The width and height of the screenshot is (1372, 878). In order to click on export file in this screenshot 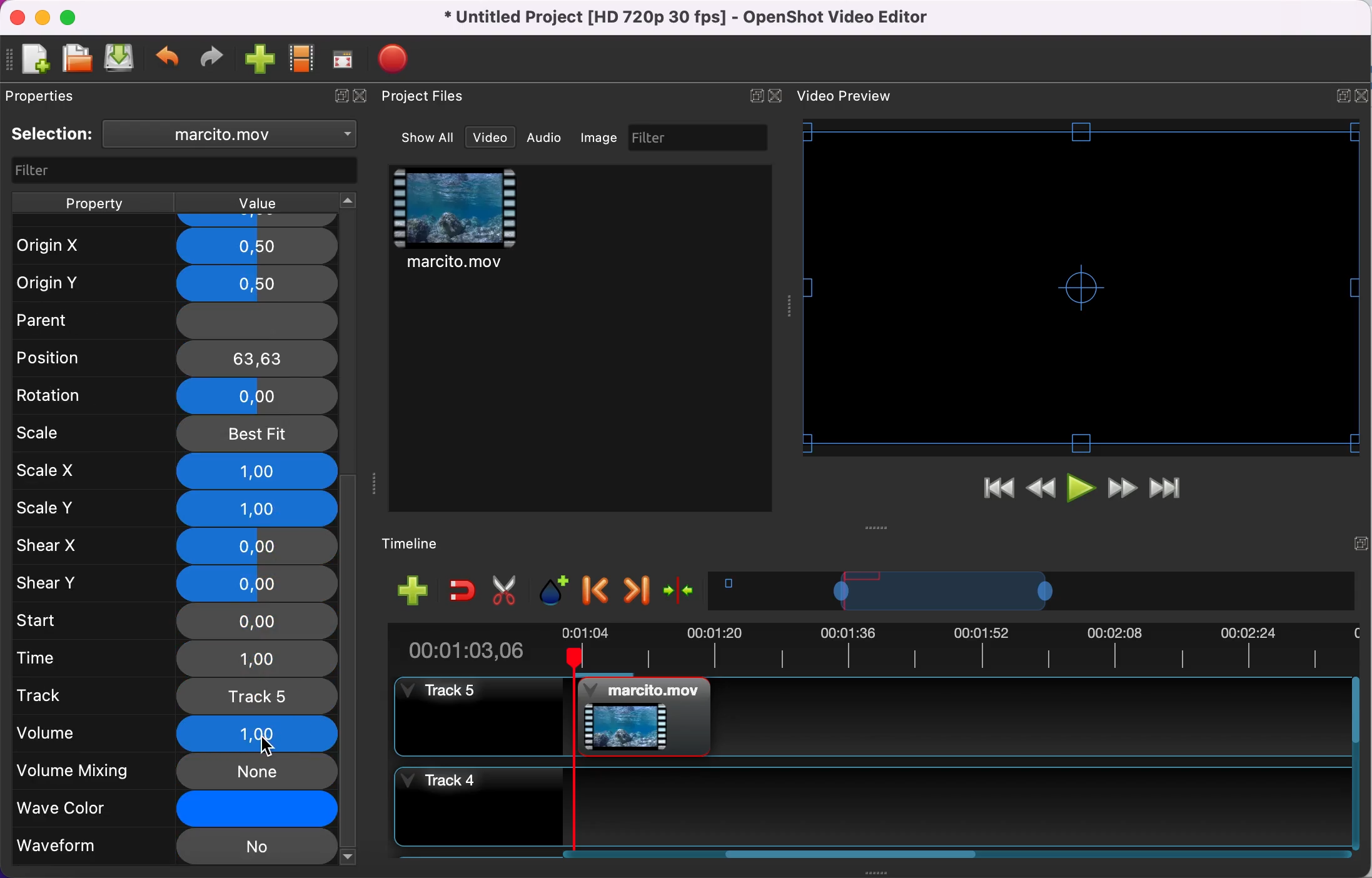, I will do `click(400, 59)`.